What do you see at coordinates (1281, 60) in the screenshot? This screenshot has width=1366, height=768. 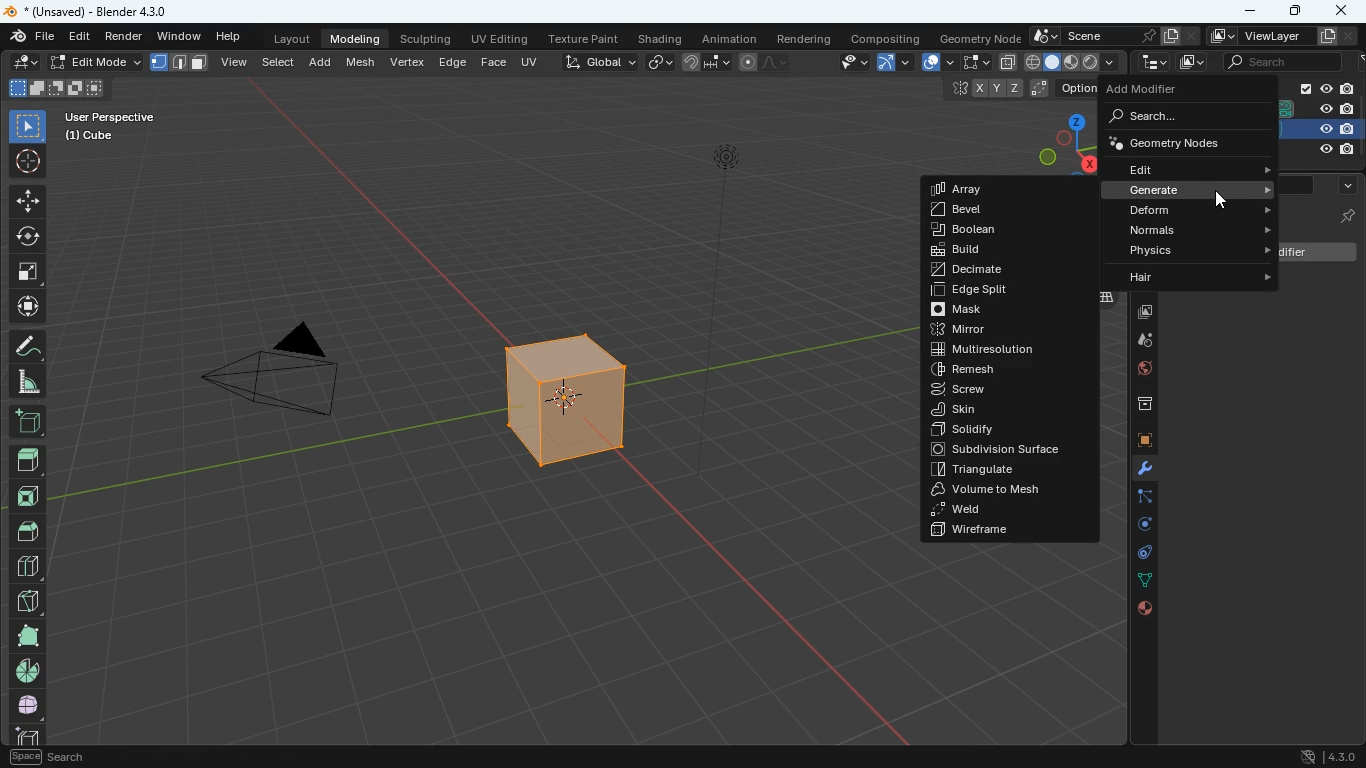 I see `scene` at bounding box center [1281, 60].